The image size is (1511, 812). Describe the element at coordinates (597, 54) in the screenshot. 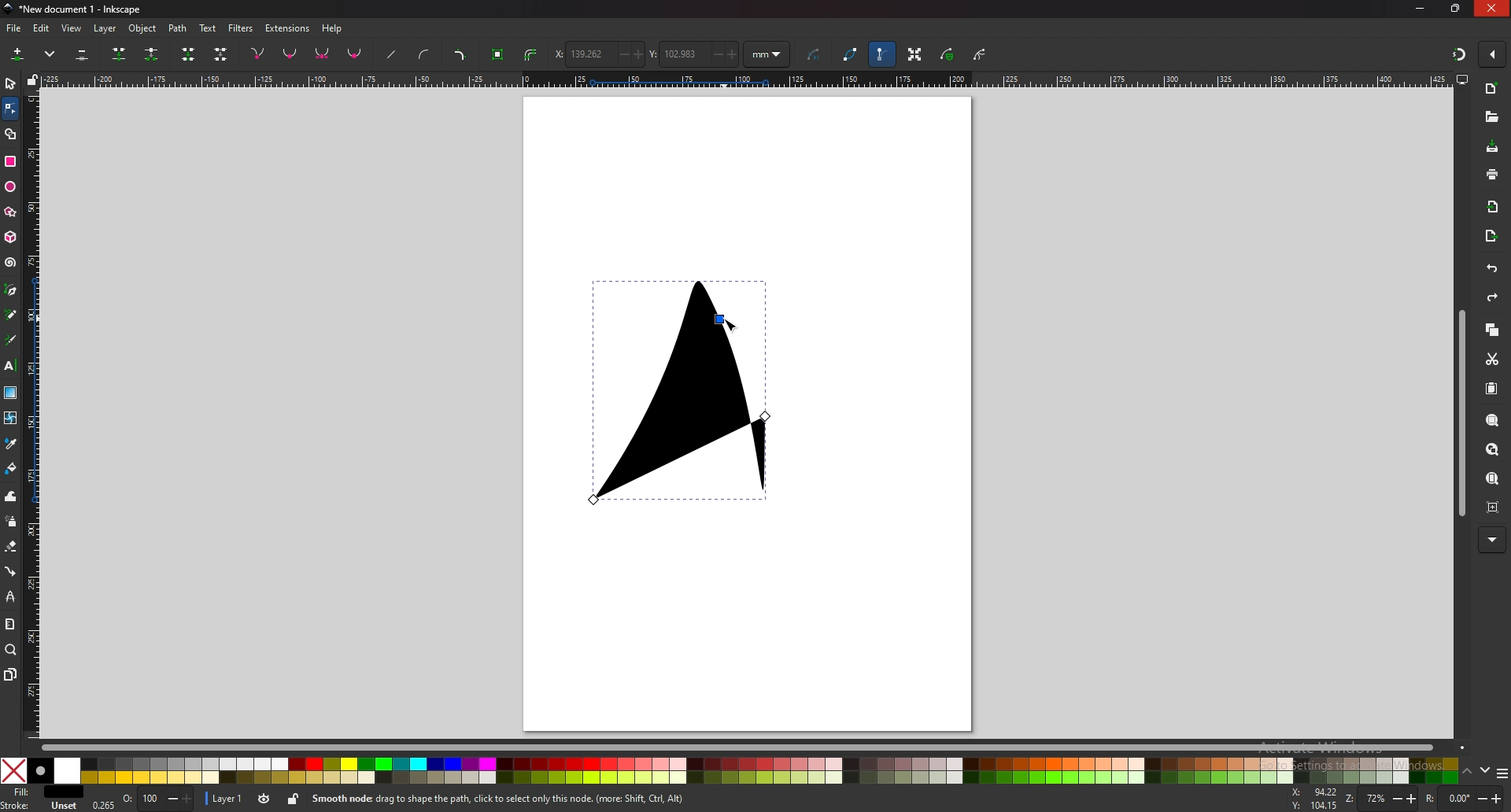

I see `x coordinate` at that location.